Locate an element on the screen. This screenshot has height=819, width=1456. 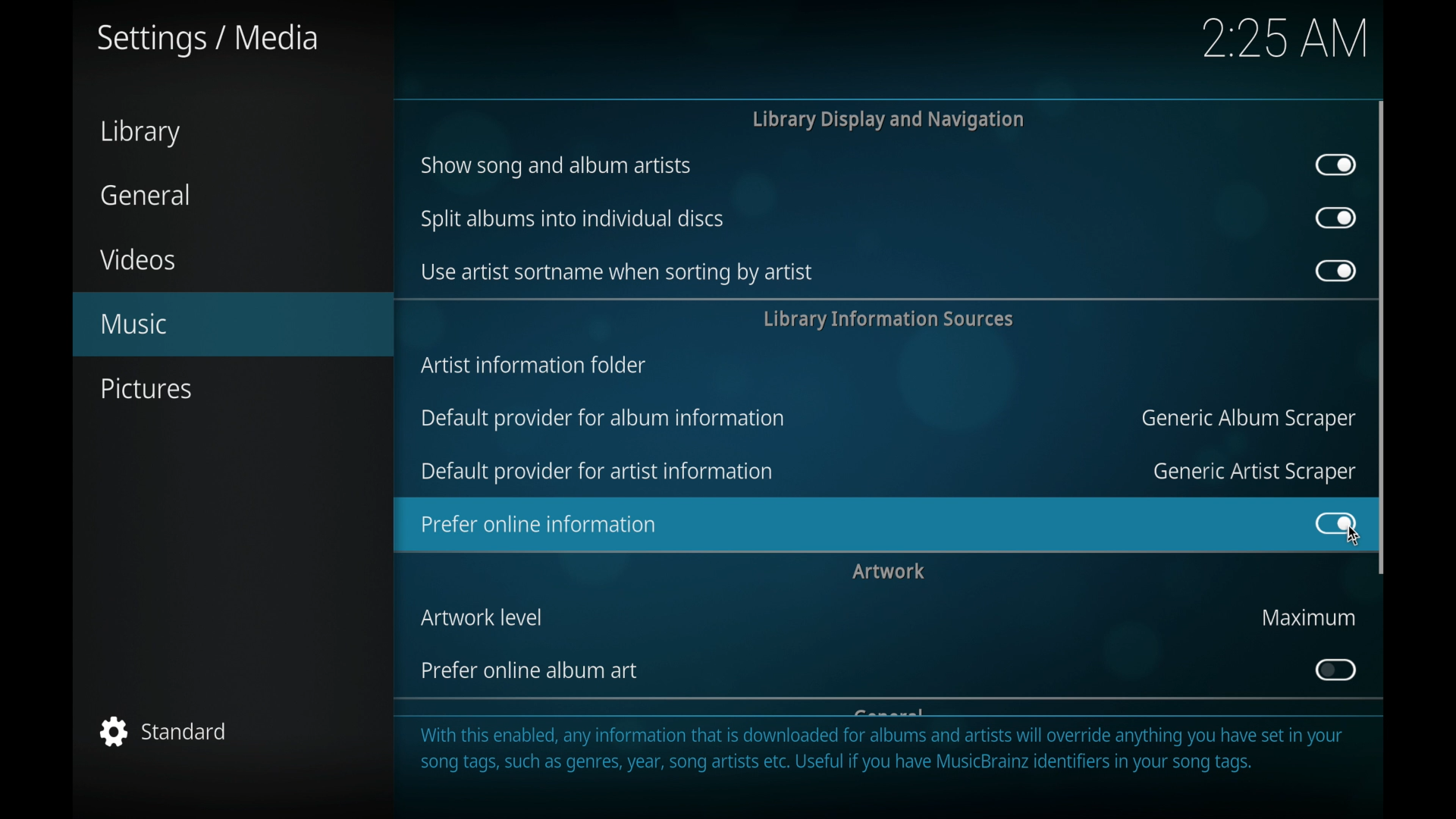
standard is located at coordinates (167, 731).